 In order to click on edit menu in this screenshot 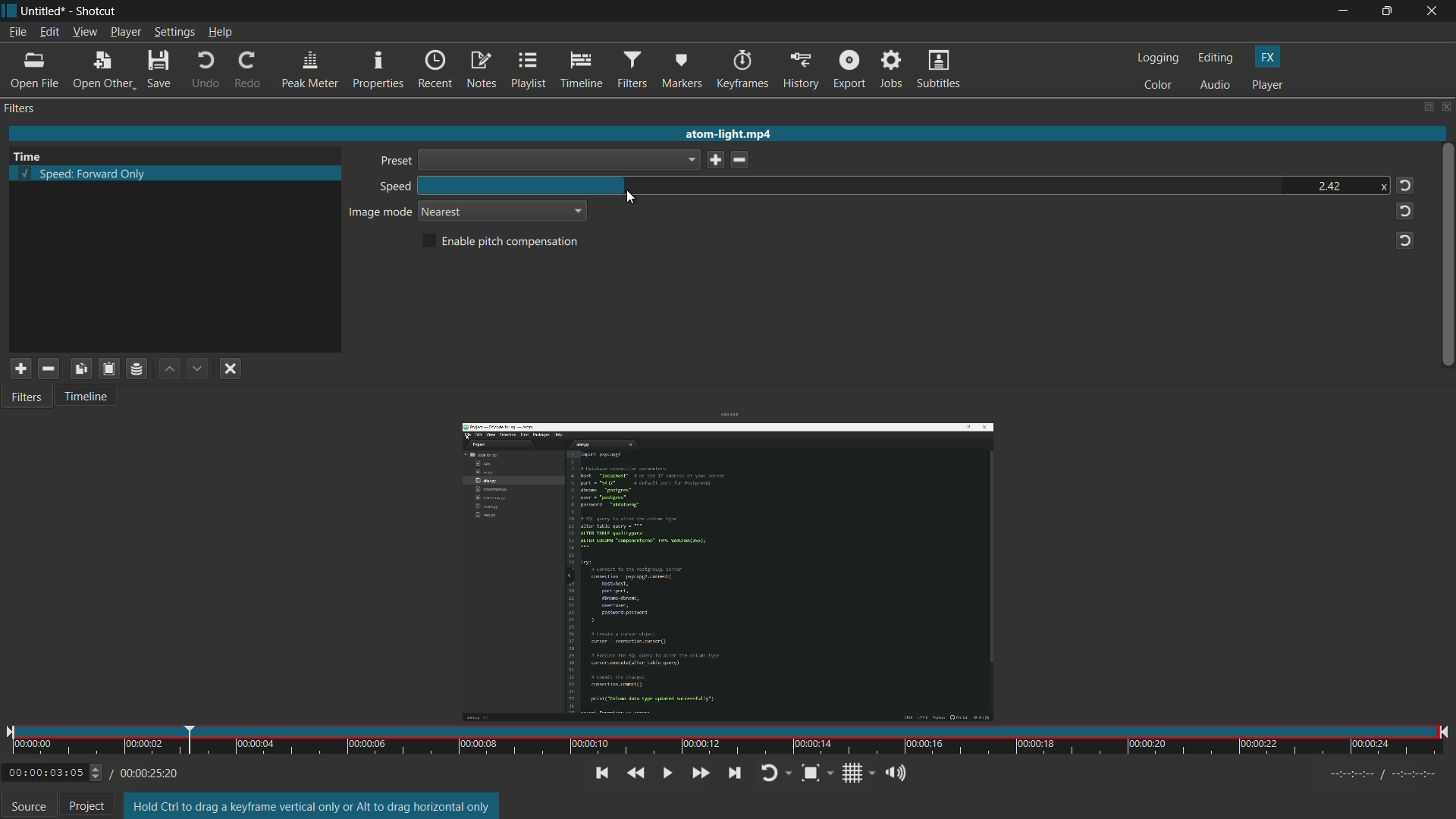, I will do `click(49, 32)`.